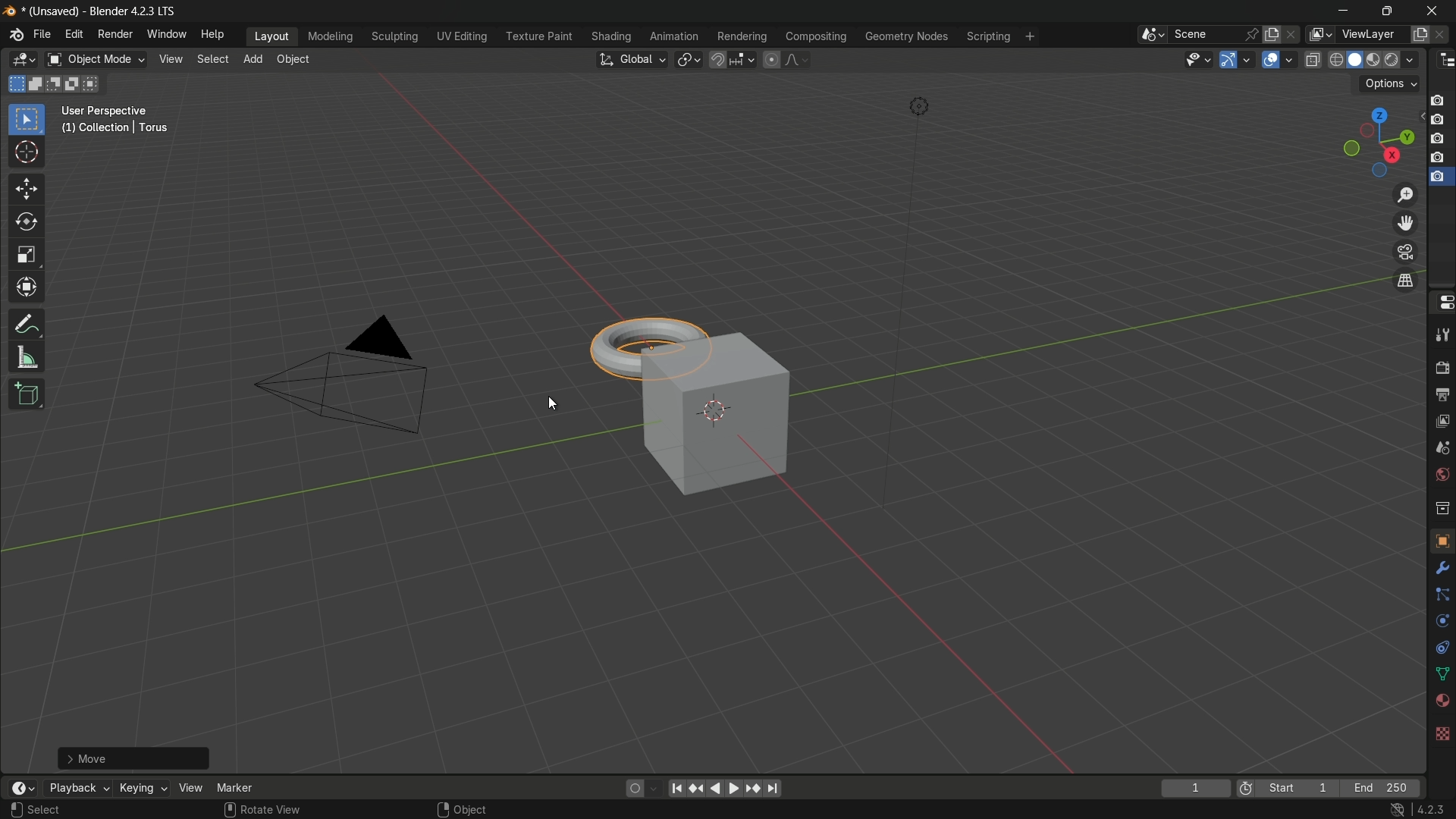 This screenshot has height=819, width=1456. Describe the element at coordinates (632, 789) in the screenshot. I see `auto keying` at that location.